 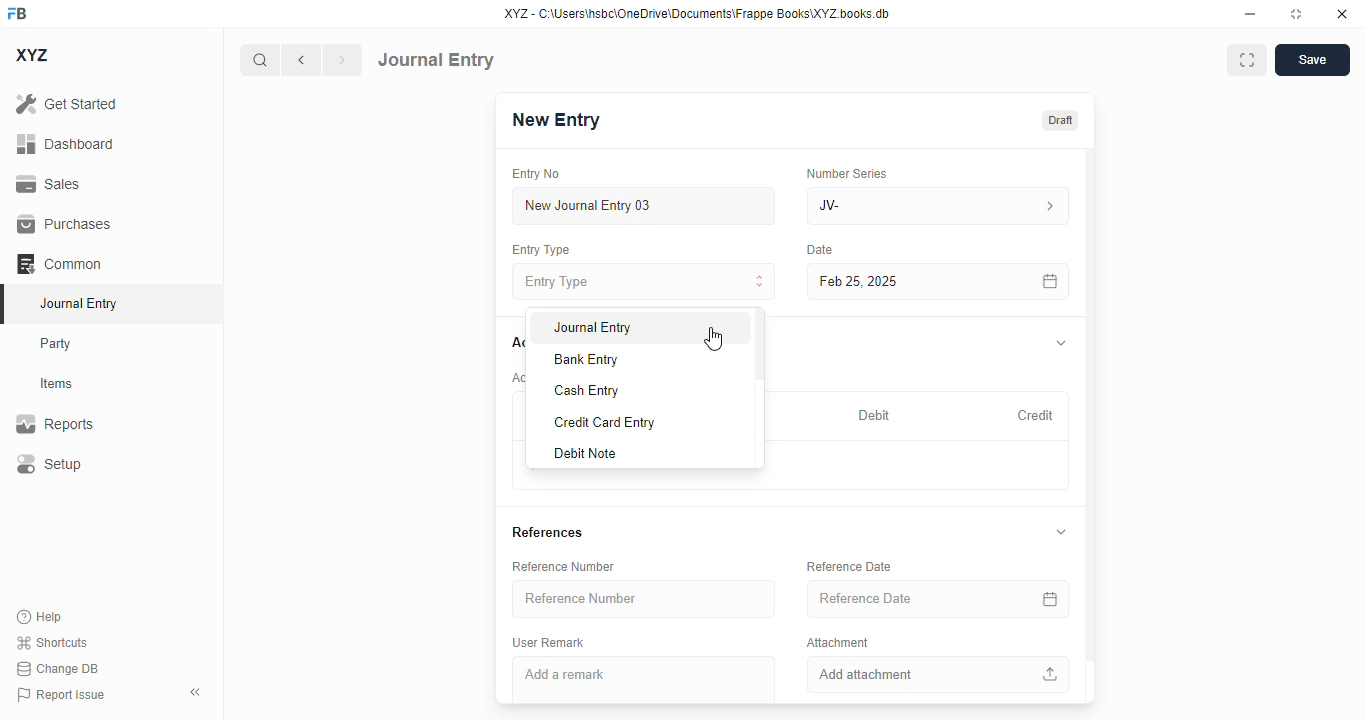 What do you see at coordinates (697, 13) in the screenshot?
I see `XYZ - C:\Users\hsbc\OneDrive\Documents\Frappe Books\XYZ books.db` at bounding box center [697, 13].